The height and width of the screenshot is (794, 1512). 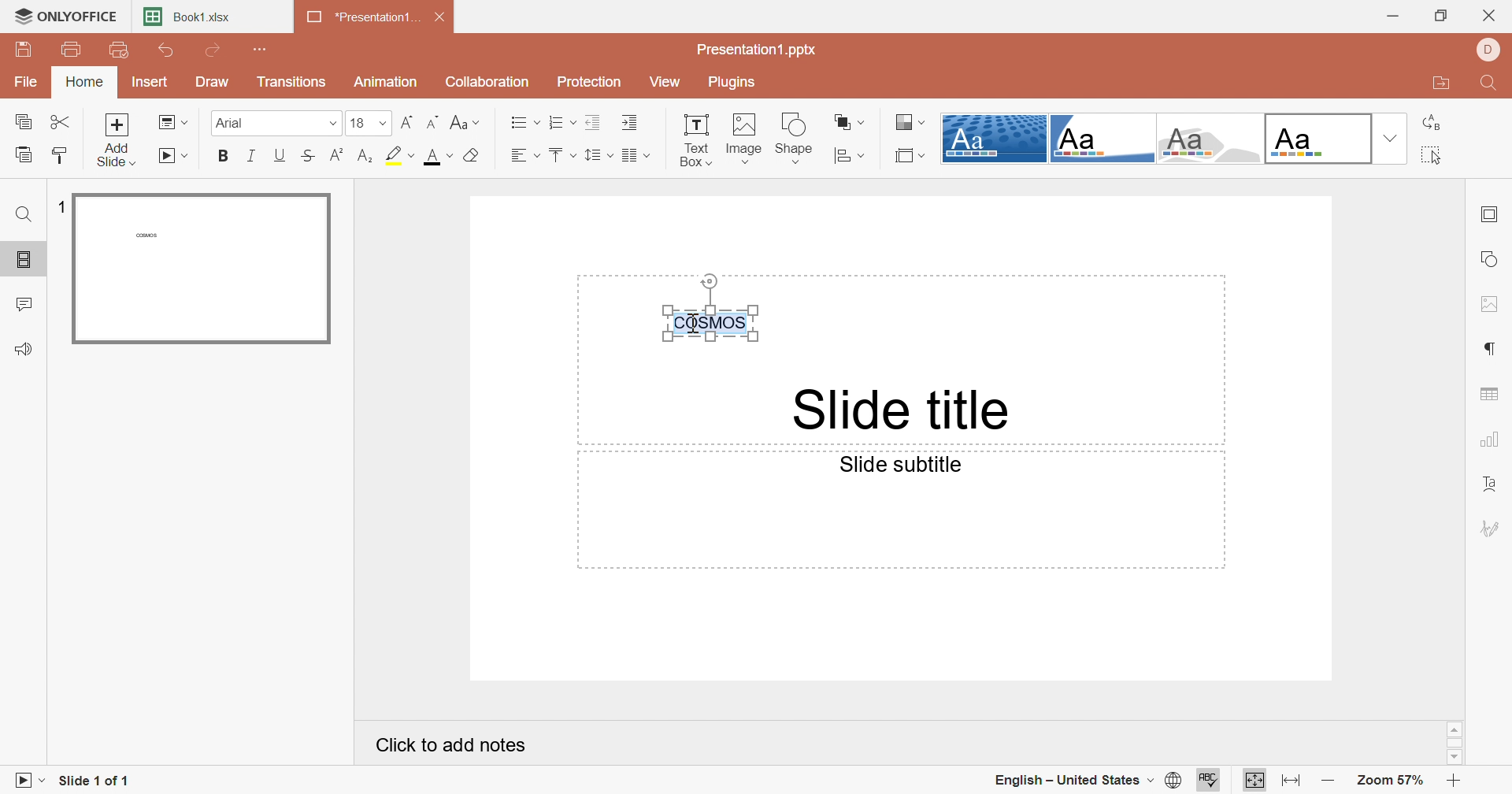 I want to click on Change case, so click(x=463, y=123).